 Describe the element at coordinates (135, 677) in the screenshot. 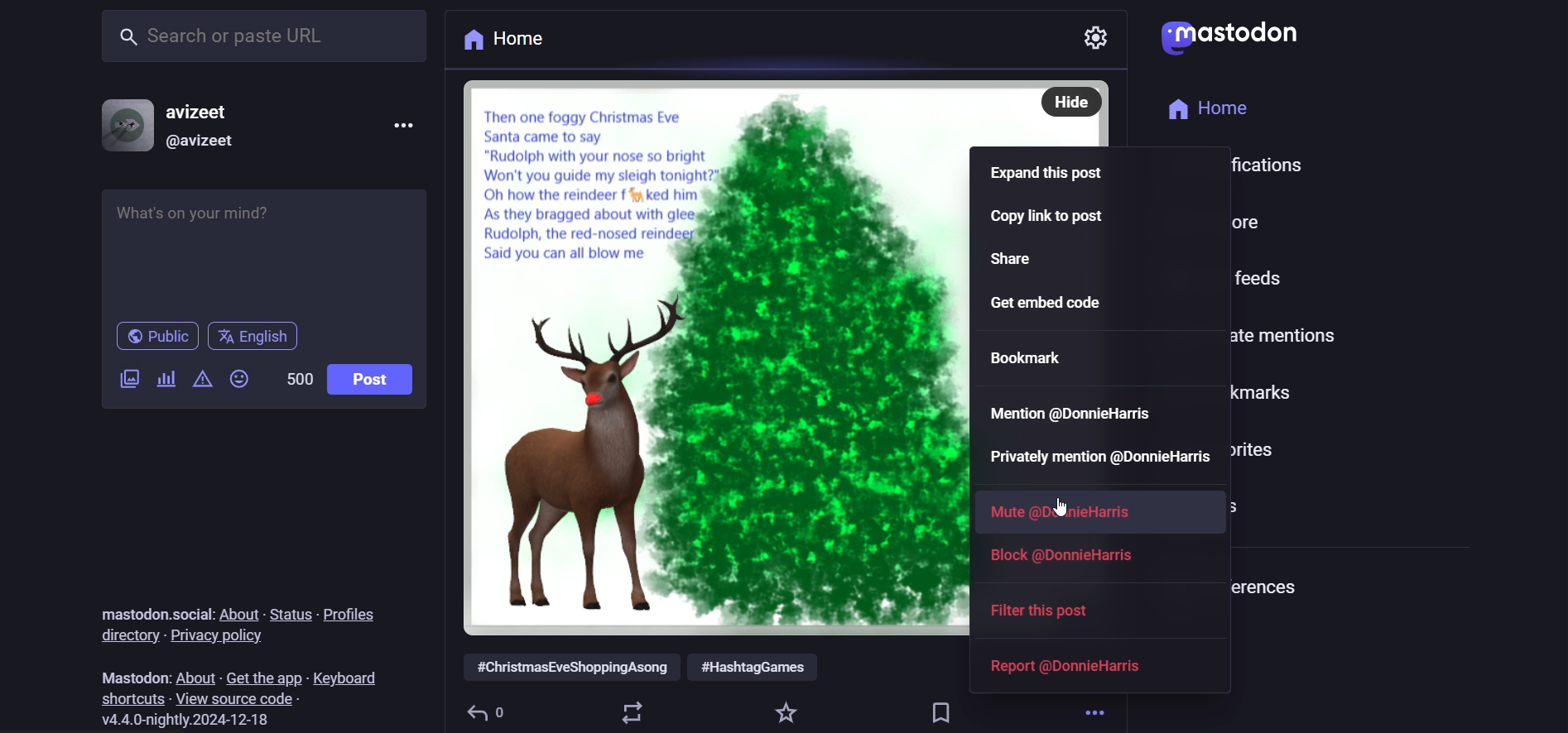

I see `mastodon` at that location.